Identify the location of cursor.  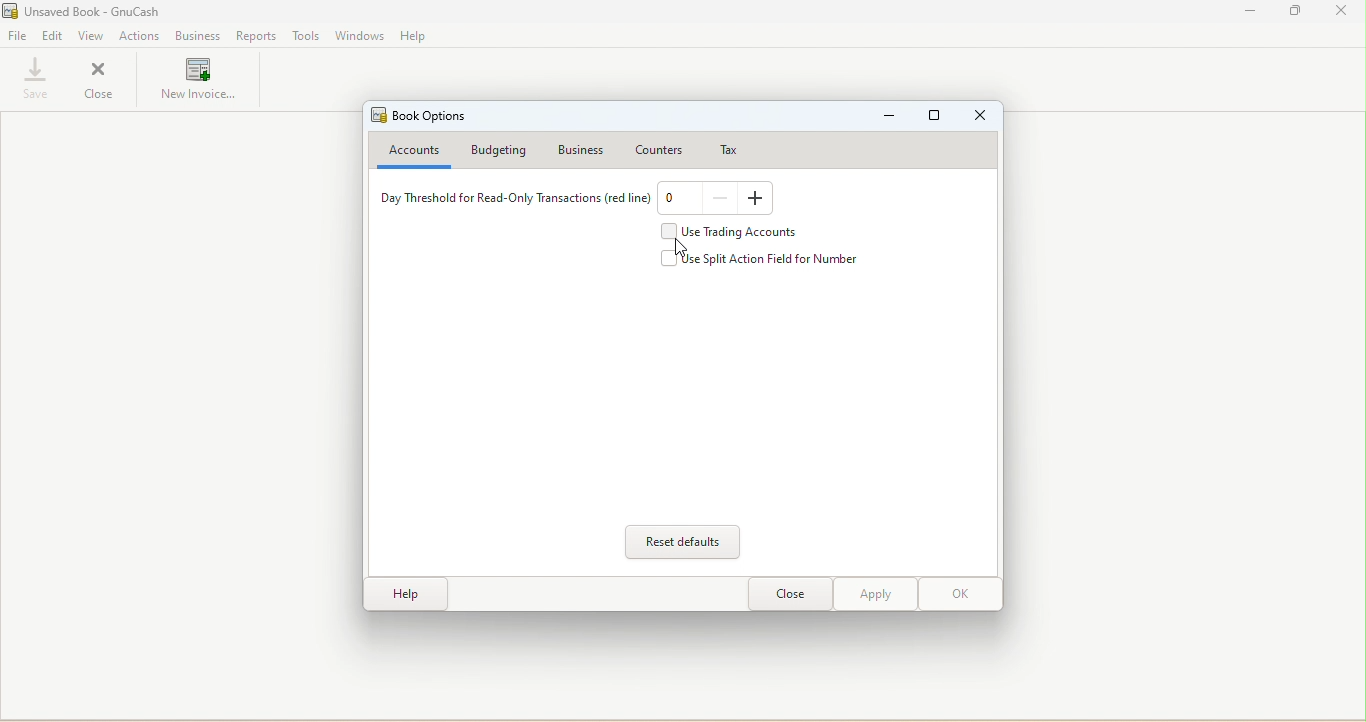
(678, 249).